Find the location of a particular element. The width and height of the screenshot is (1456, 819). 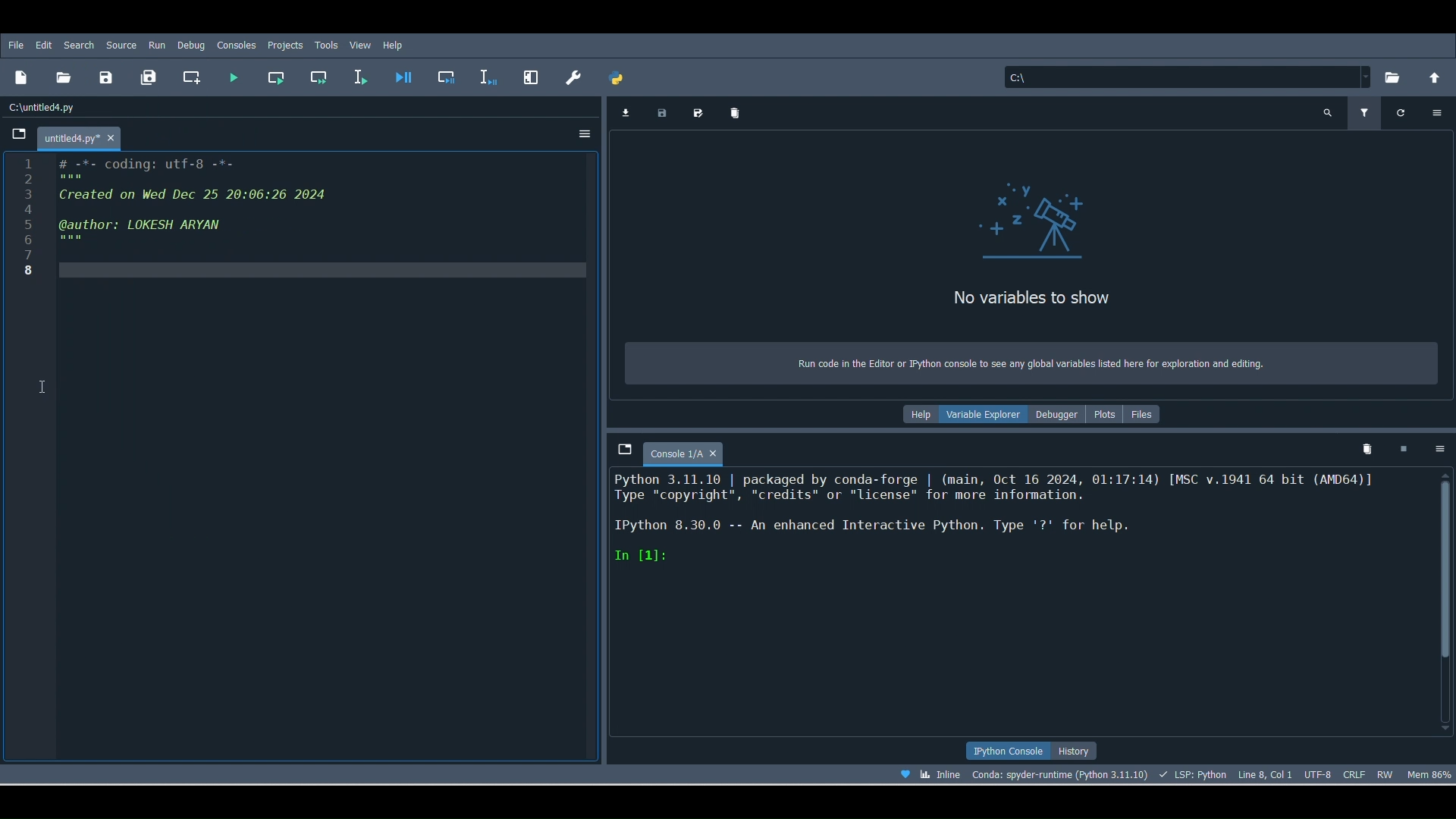

Debug is located at coordinates (191, 45).